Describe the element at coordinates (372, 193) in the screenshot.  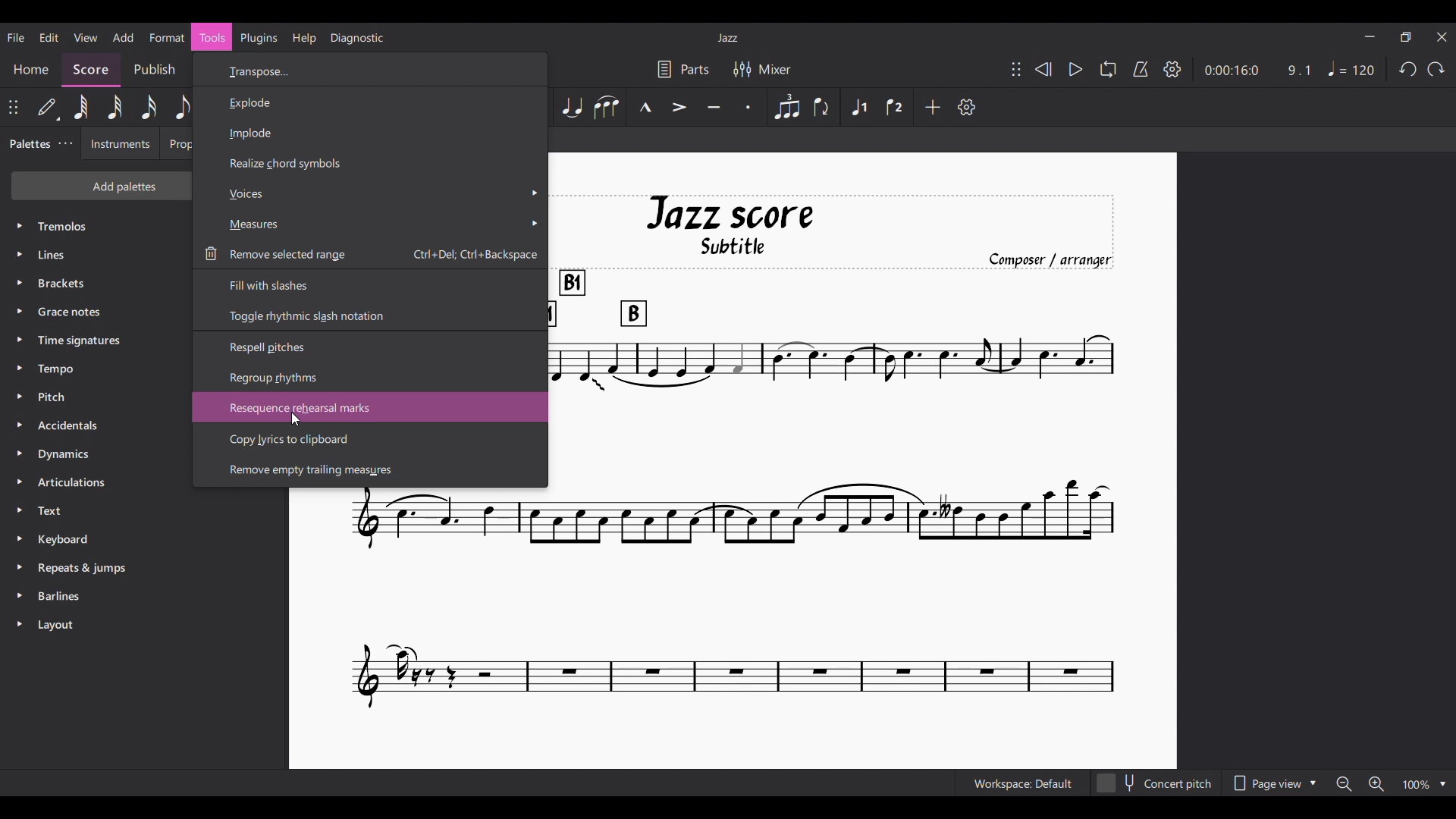
I see `Voices options` at that location.